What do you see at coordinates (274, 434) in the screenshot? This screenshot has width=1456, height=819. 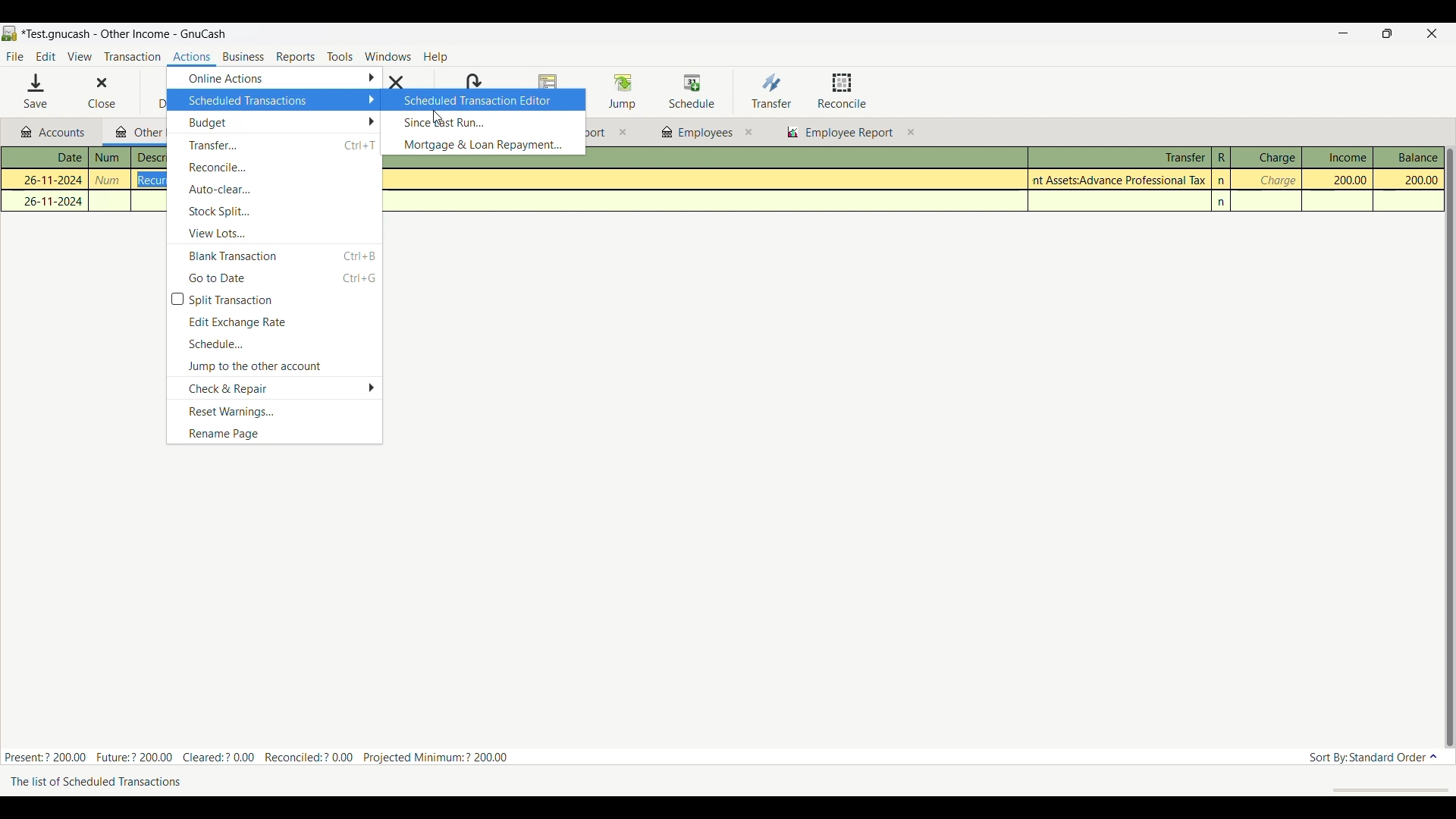 I see `Rename page` at bounding box center [274, 434].